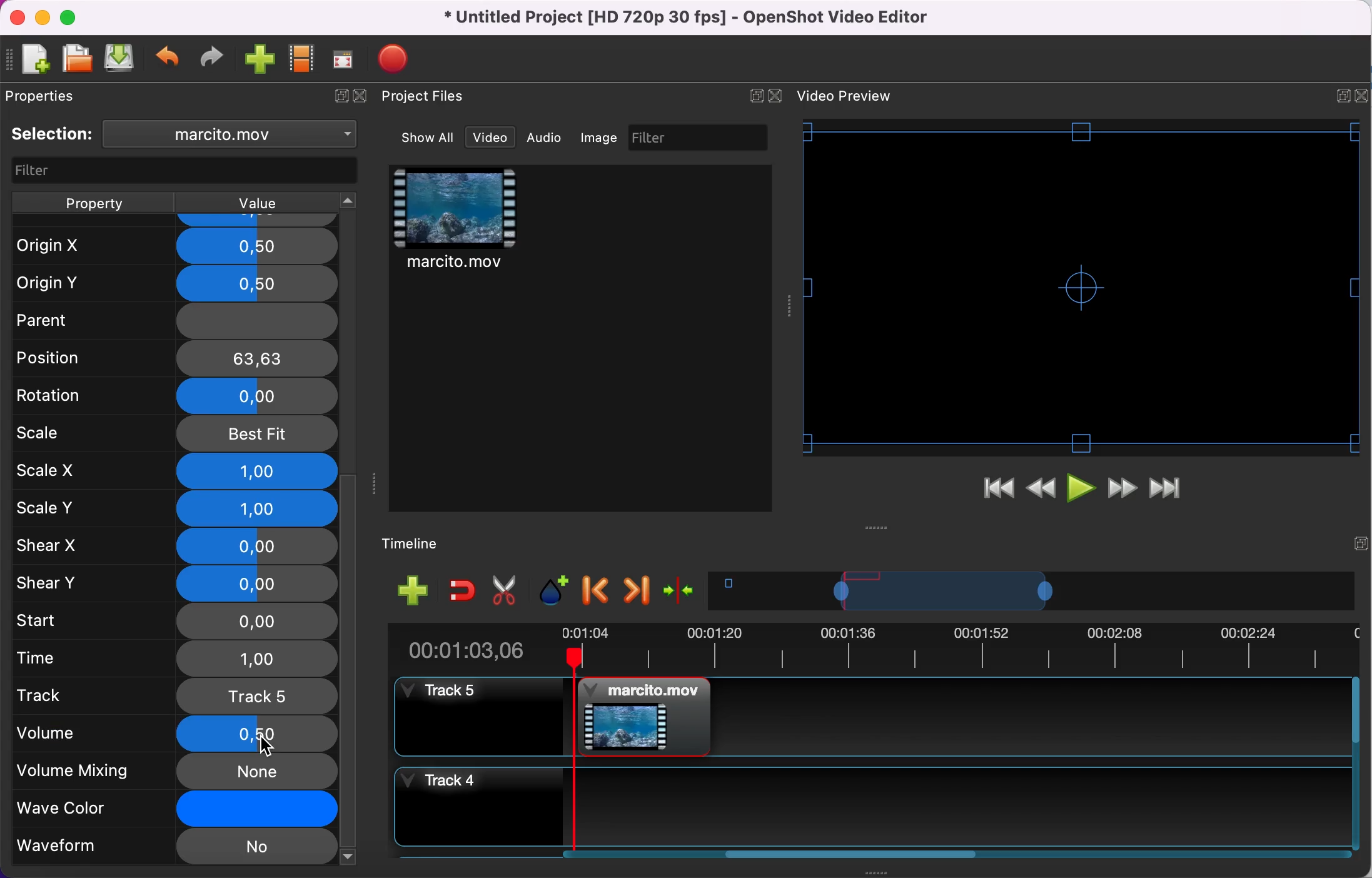 The height and width of the screenshot is (878, 1372). Describe the element at coordinates (178, 660) in the screenshot. I see `time 1` at that location.